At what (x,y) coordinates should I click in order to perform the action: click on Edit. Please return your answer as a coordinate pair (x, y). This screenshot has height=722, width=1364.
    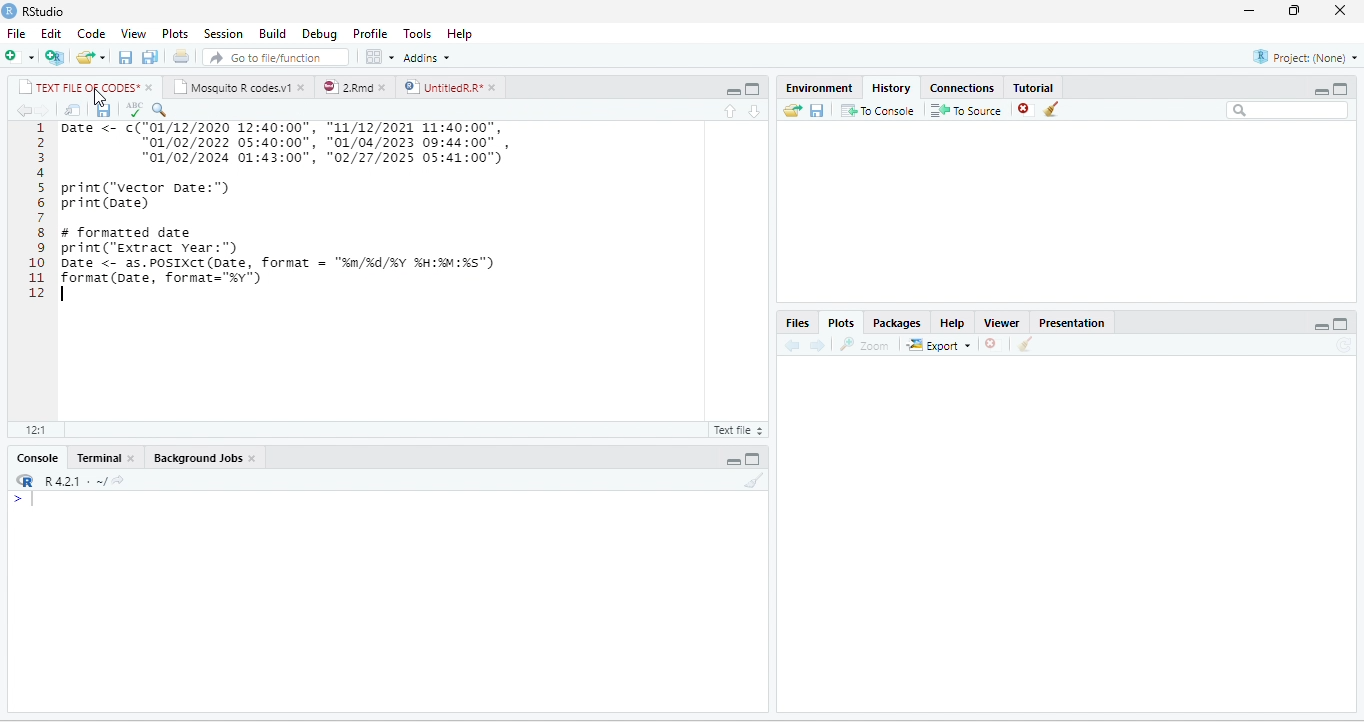
    Looking at the image, I should click on (51, 34).